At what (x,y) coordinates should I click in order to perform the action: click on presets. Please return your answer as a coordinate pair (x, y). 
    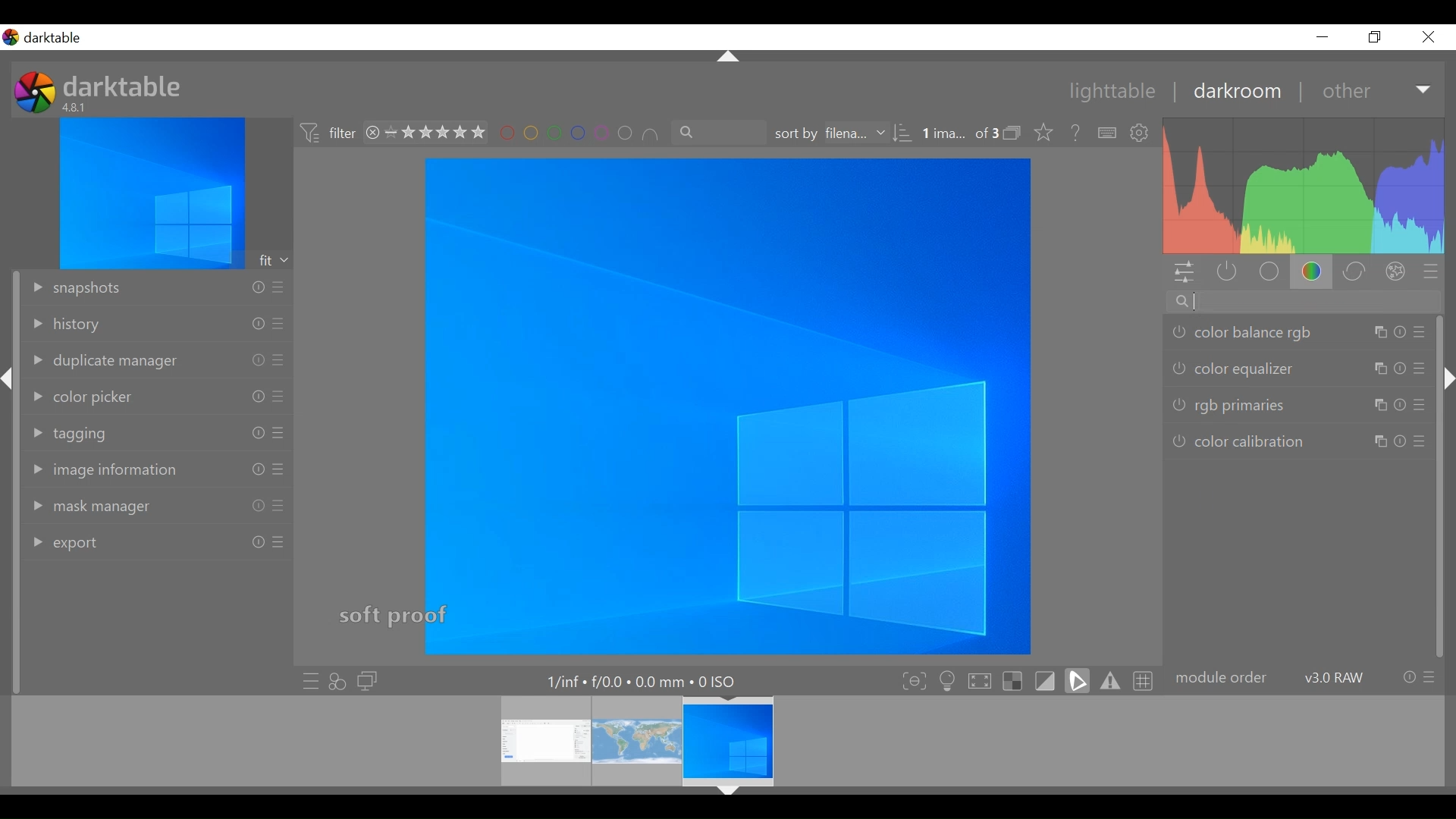
    Looking at the image, I should click on (1419, 404).